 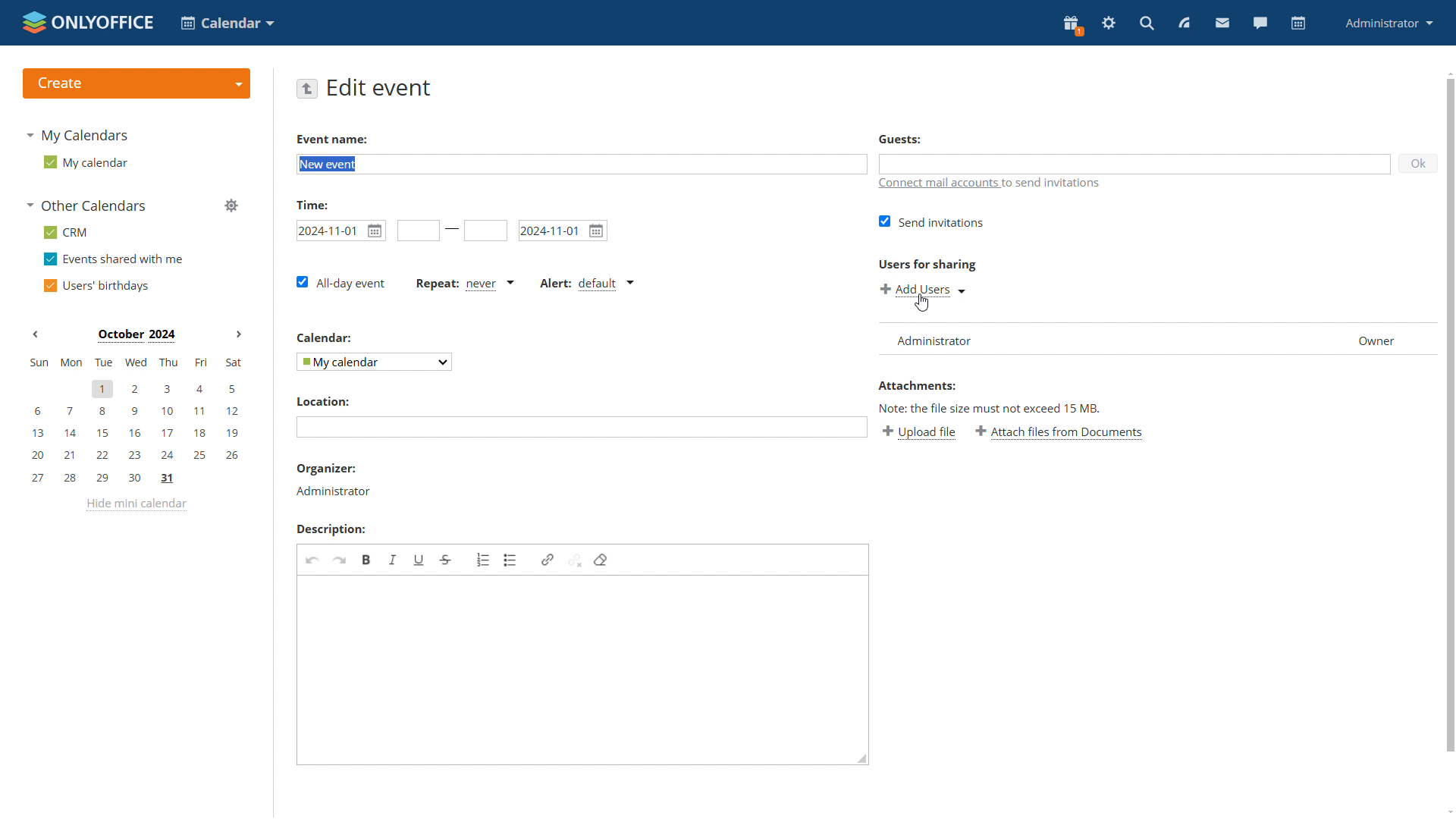 What do you see at coordinates (381, 88) in the screenshot?
I see `edit event` at bounding box center [381, 88].